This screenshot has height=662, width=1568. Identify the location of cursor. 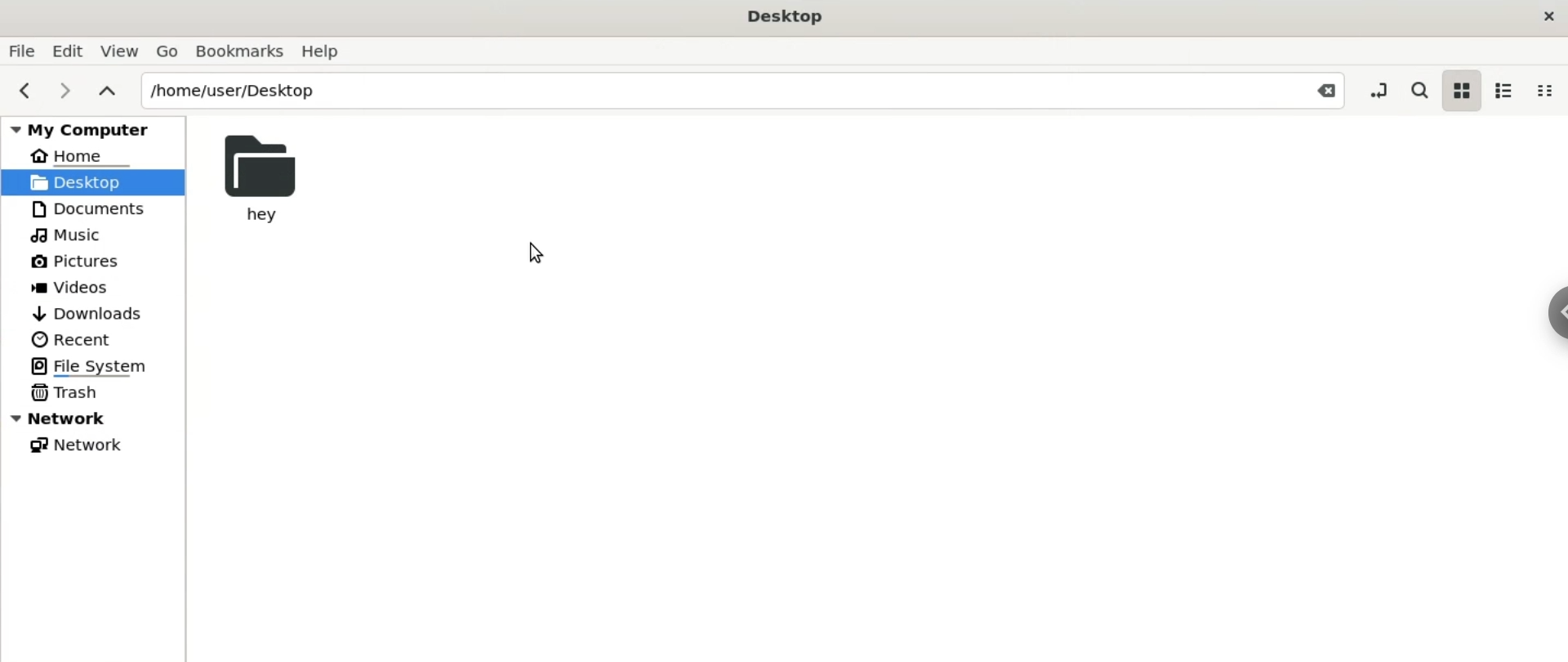
(537, 251).